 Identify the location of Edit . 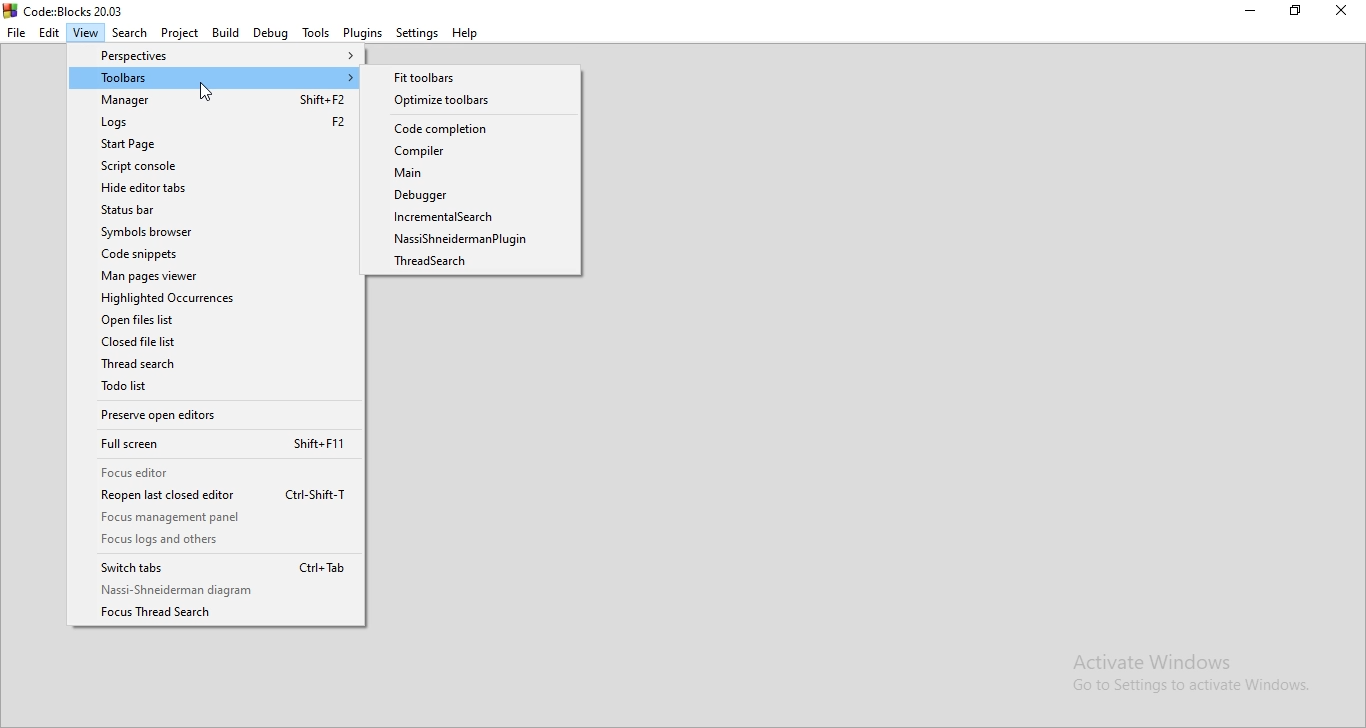
(49, 33).